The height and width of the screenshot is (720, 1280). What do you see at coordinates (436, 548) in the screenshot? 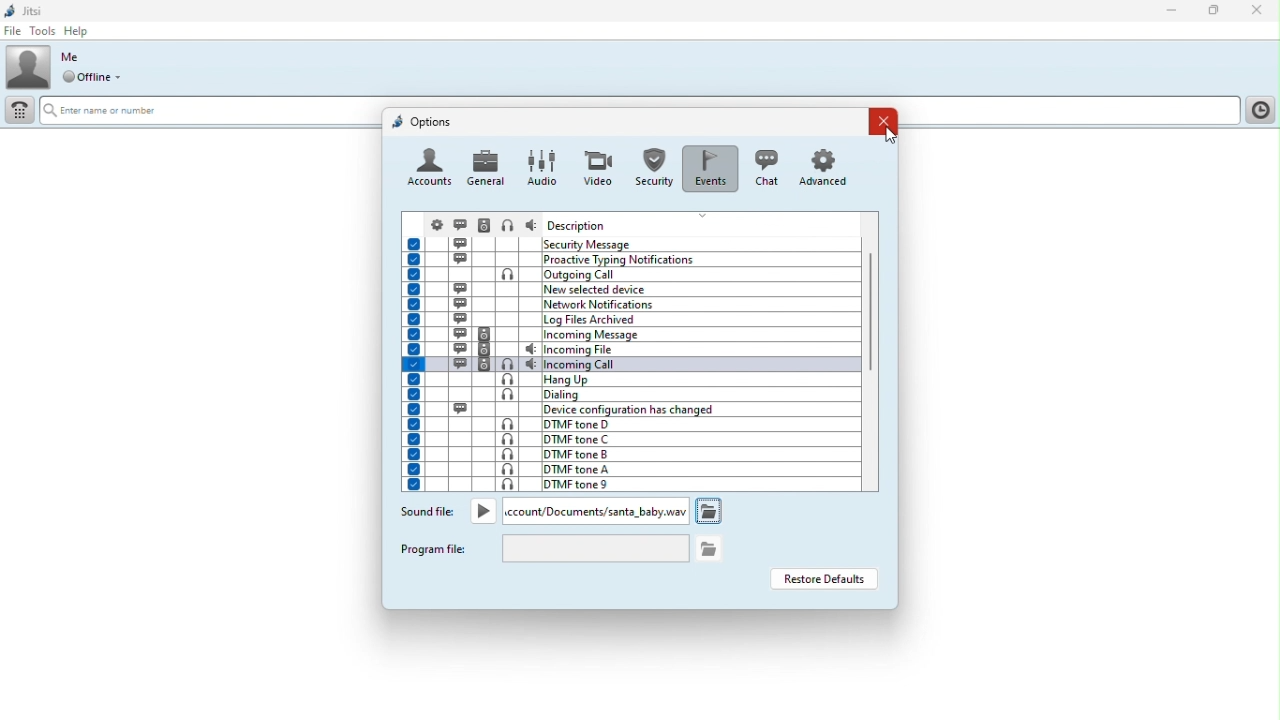
I see `Program file` at bounding box center [436, 548].